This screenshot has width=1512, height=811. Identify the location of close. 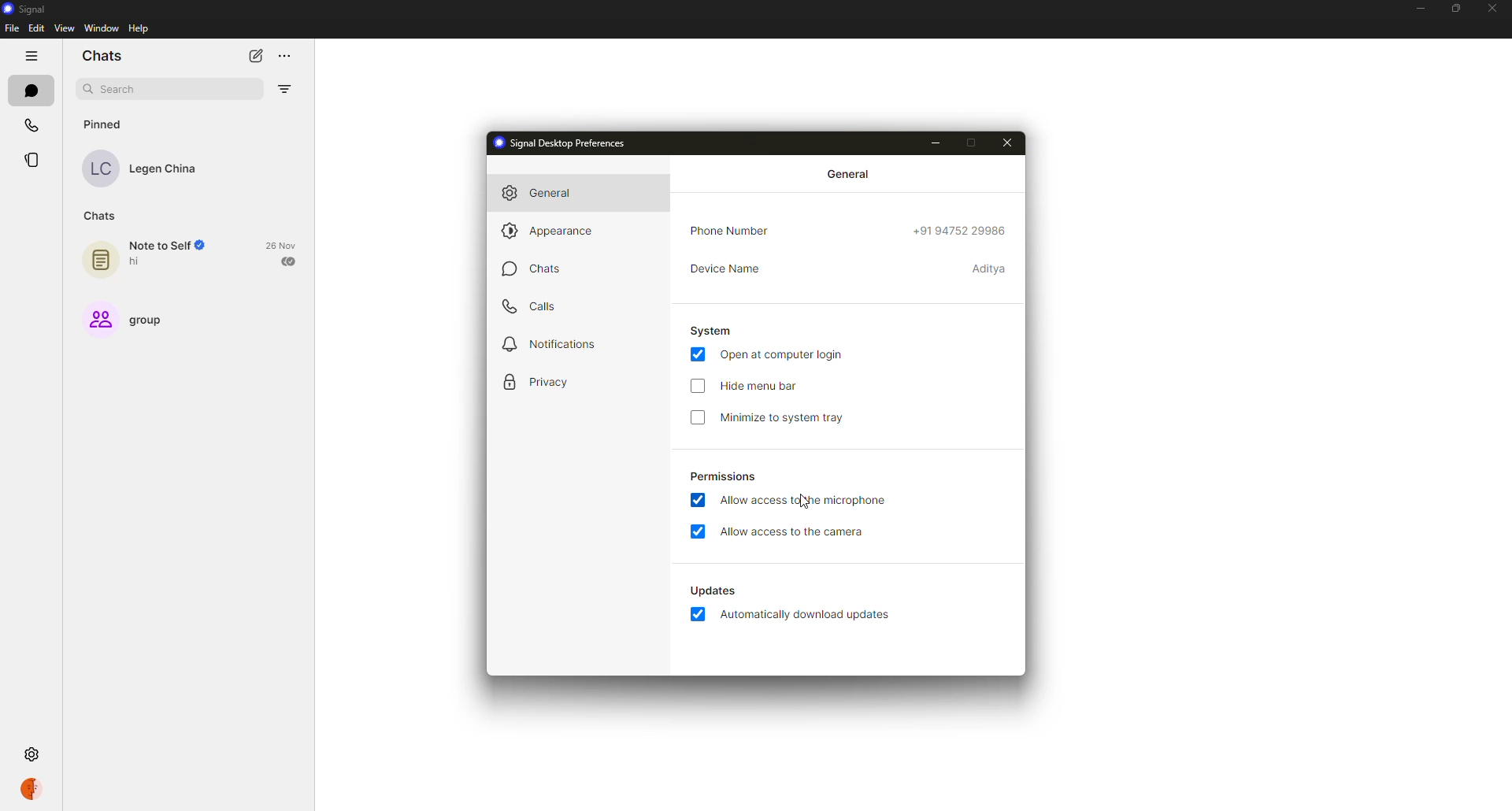
(1495, 8).